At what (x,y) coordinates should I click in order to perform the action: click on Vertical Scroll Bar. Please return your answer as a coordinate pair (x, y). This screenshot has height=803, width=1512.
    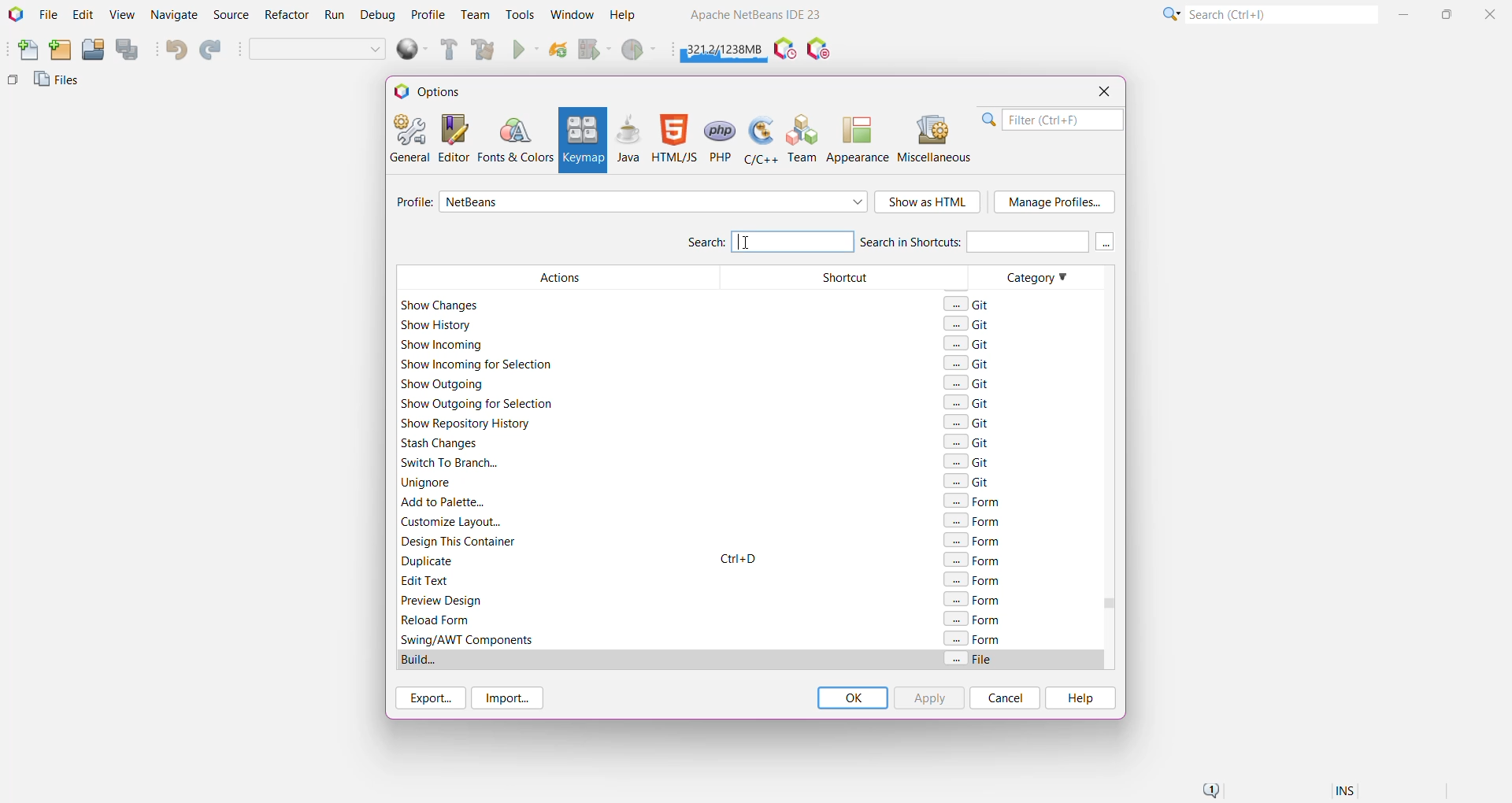
    Looking at the image, I should click on (1106, 468).